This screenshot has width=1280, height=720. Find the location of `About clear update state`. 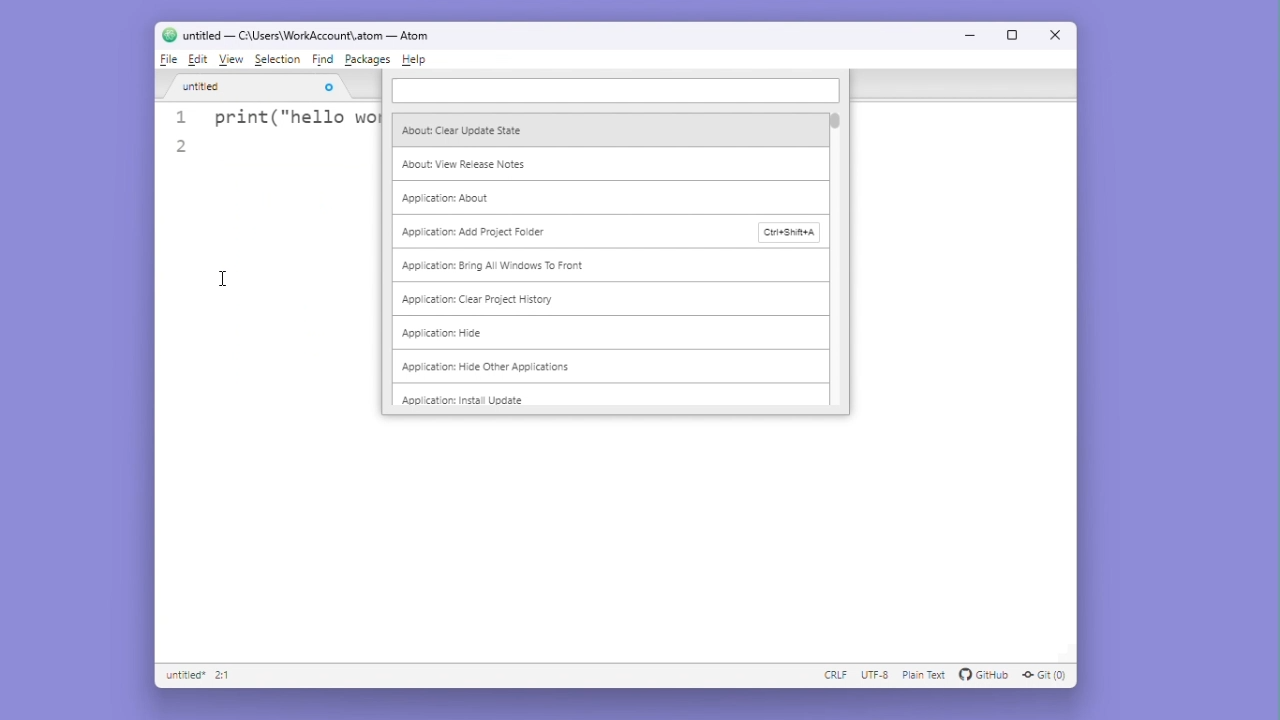

About clear update state is located at coordinates (468, 130).